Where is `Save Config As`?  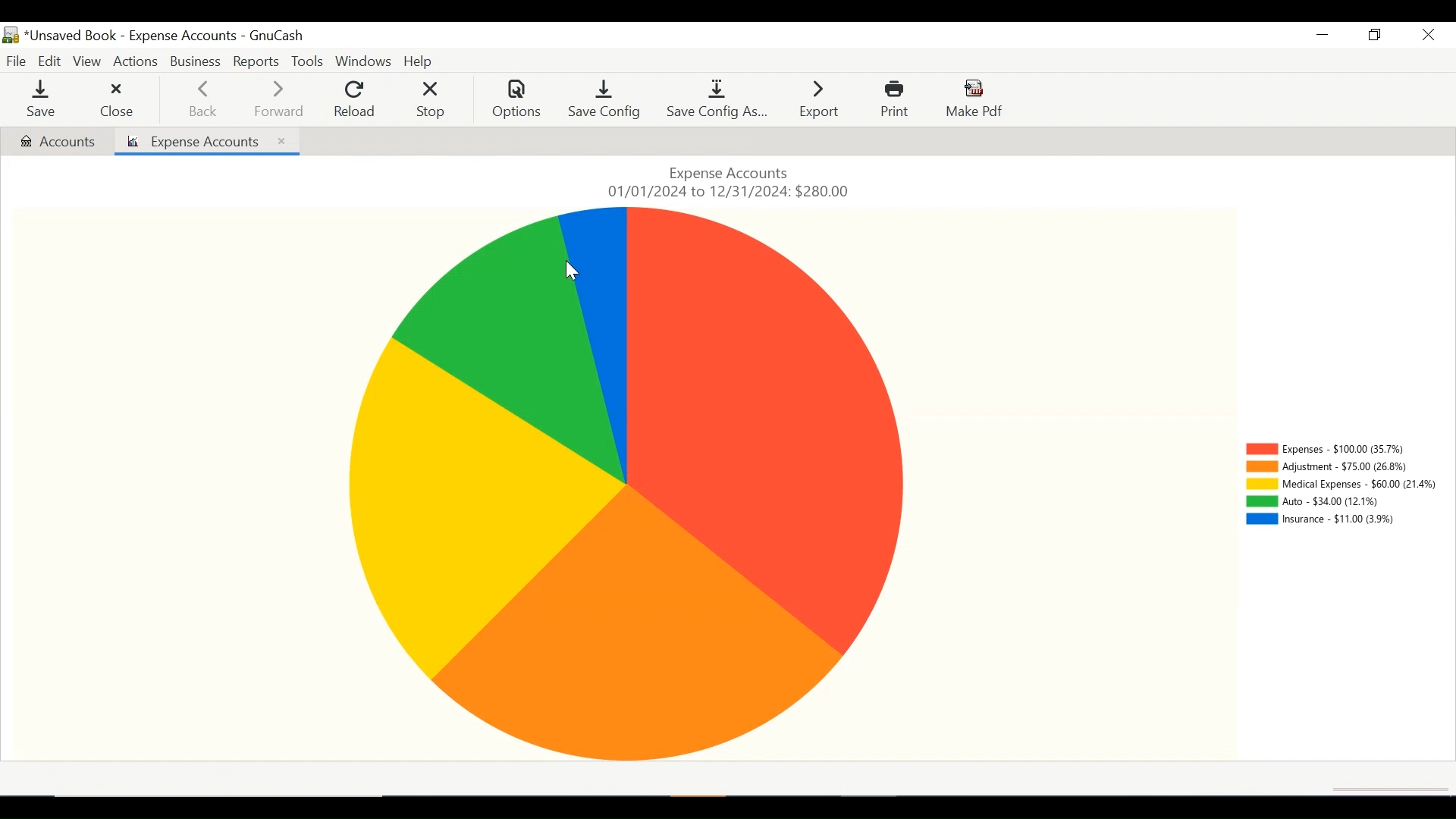
Save Config As is located at coordinates (720, 99).